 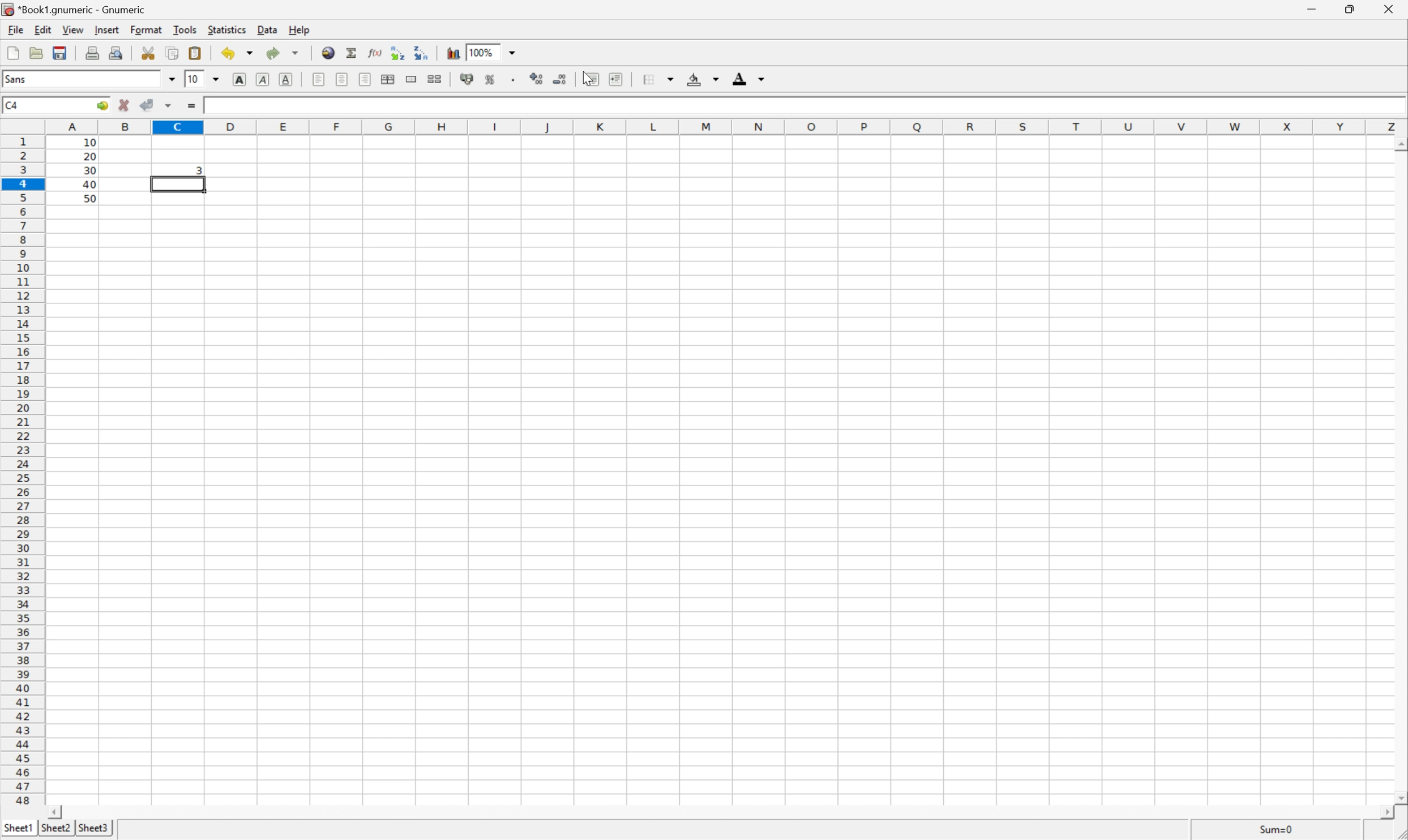 I want to click on Close, so click(x=1388, y=8).